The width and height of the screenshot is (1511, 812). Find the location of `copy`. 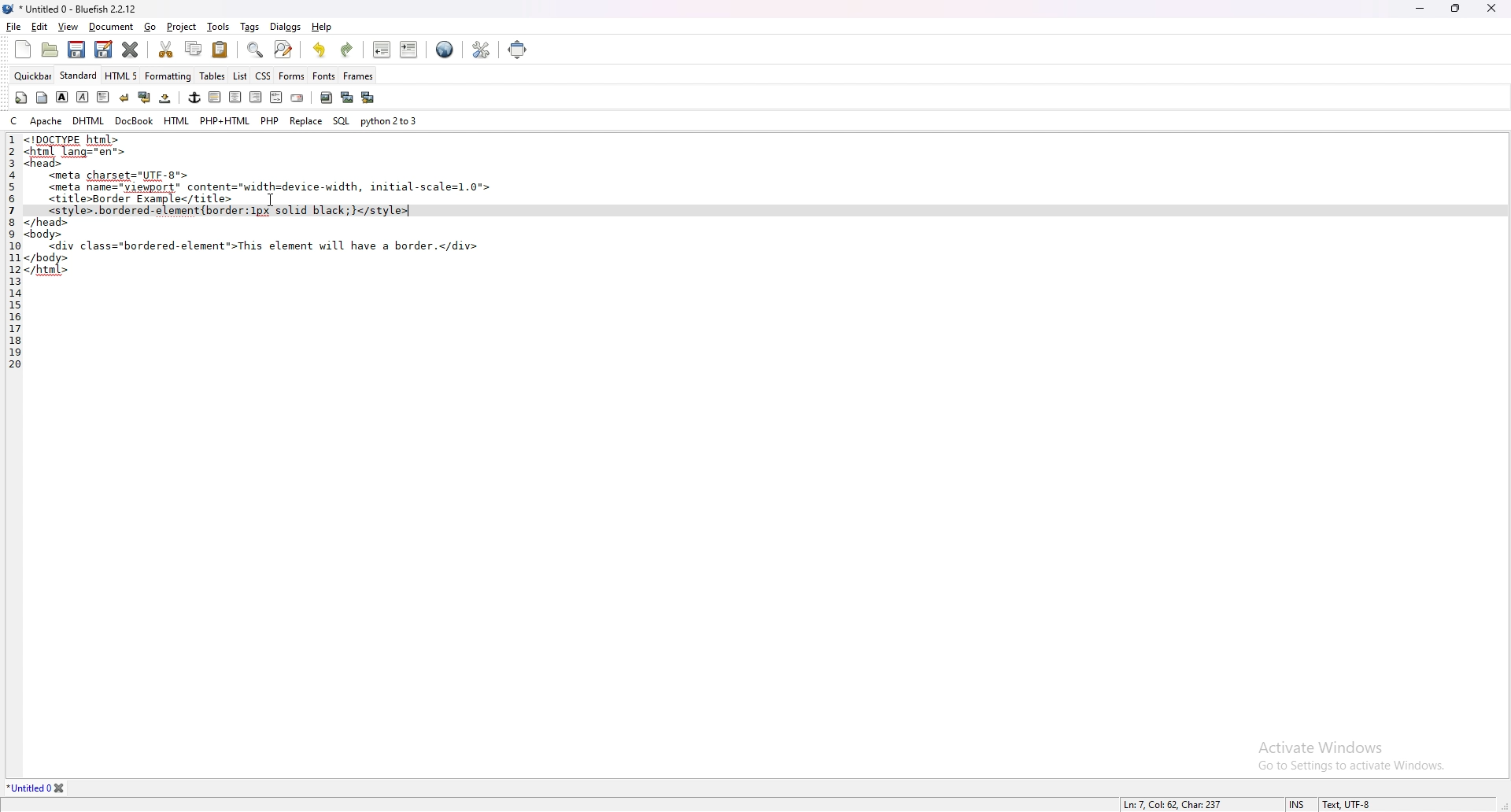

copy is located at coordinates (194, 49).